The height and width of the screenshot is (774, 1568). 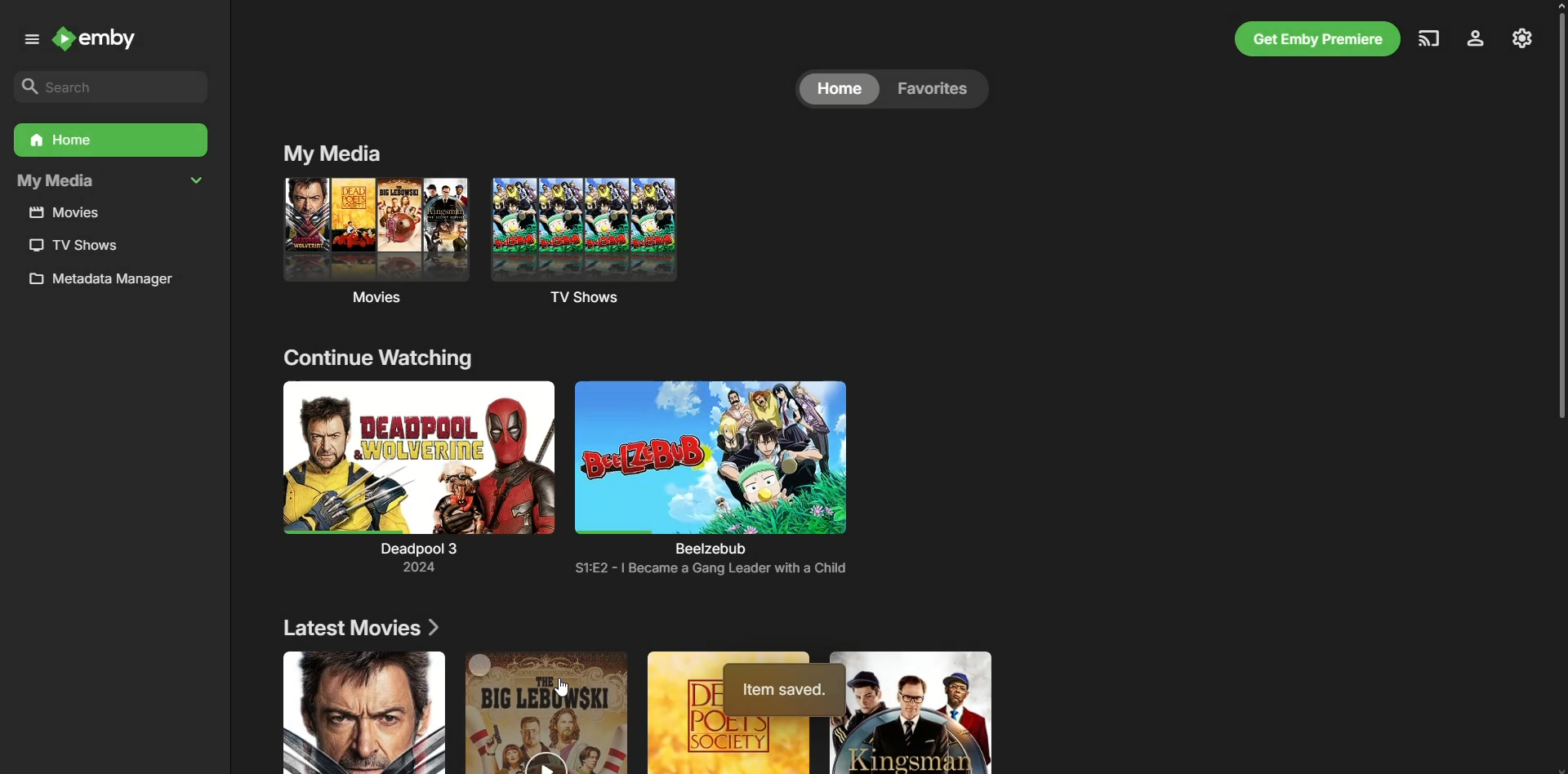 I want to click on TV Shows, so click(x=608, y=243).